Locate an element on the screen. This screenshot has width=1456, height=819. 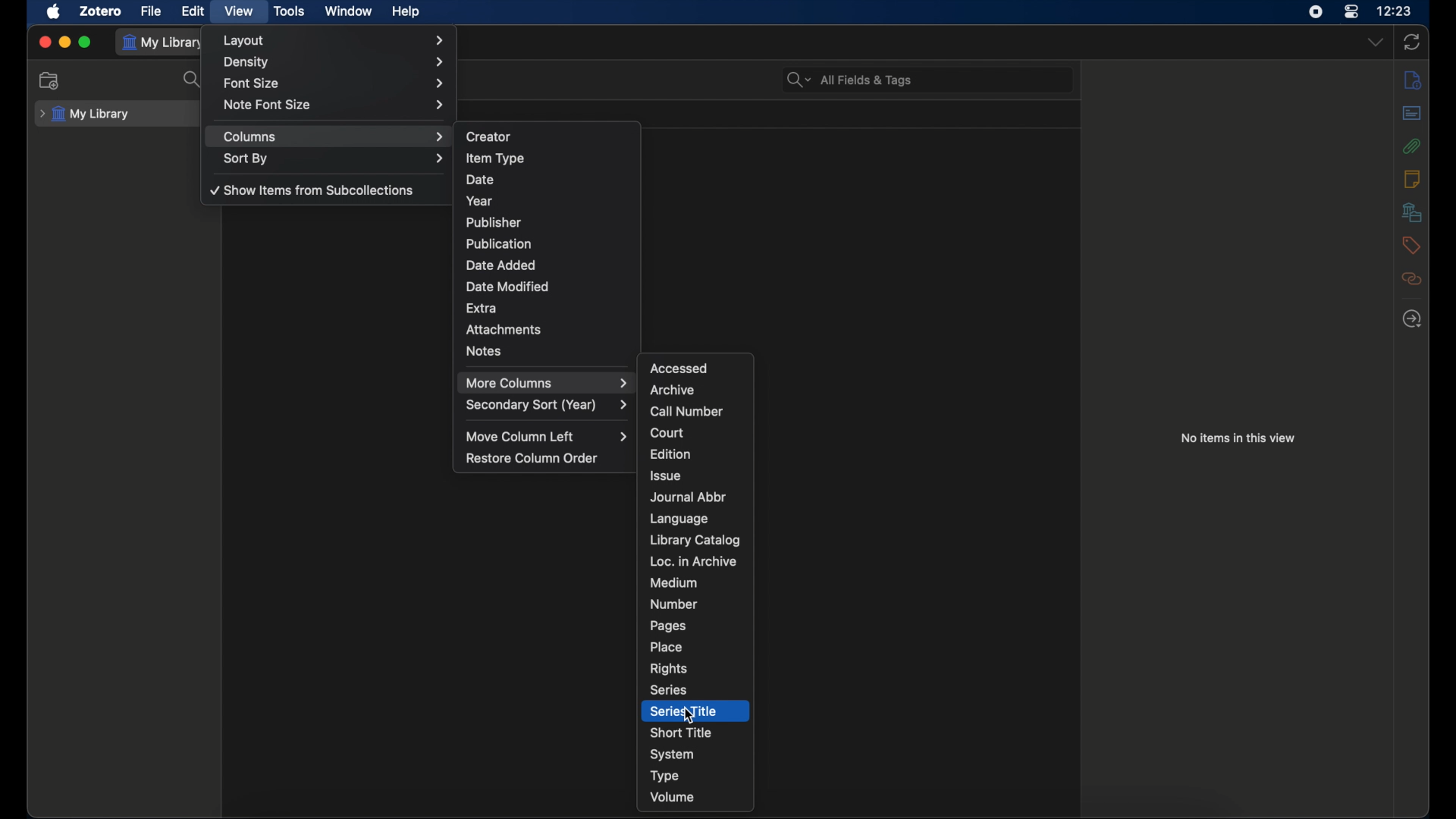
zotero is located at coordinates (102, 12).